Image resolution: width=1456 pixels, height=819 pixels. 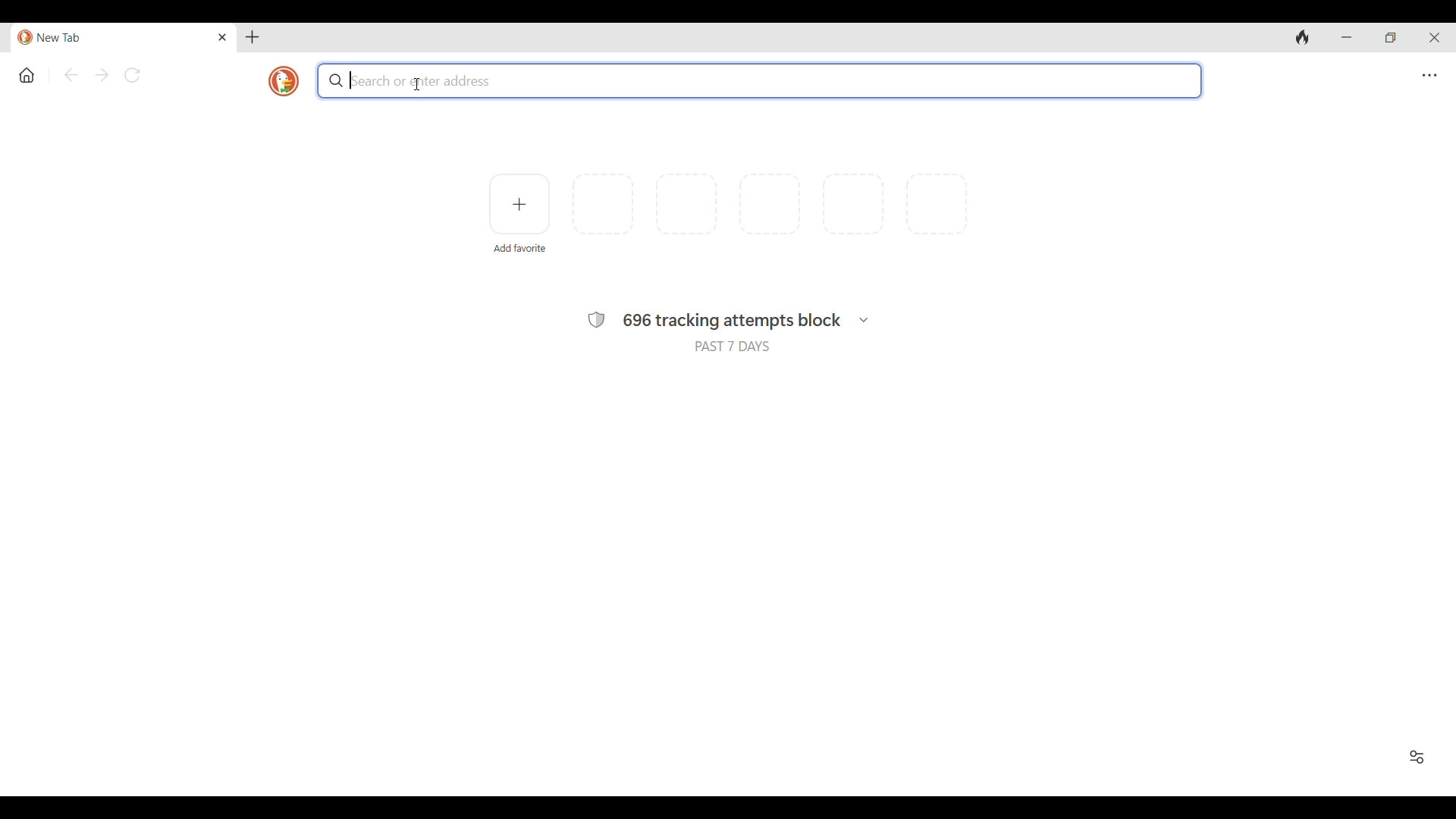 I want to click on Clear browsing history , so click(x=1303, y=38).